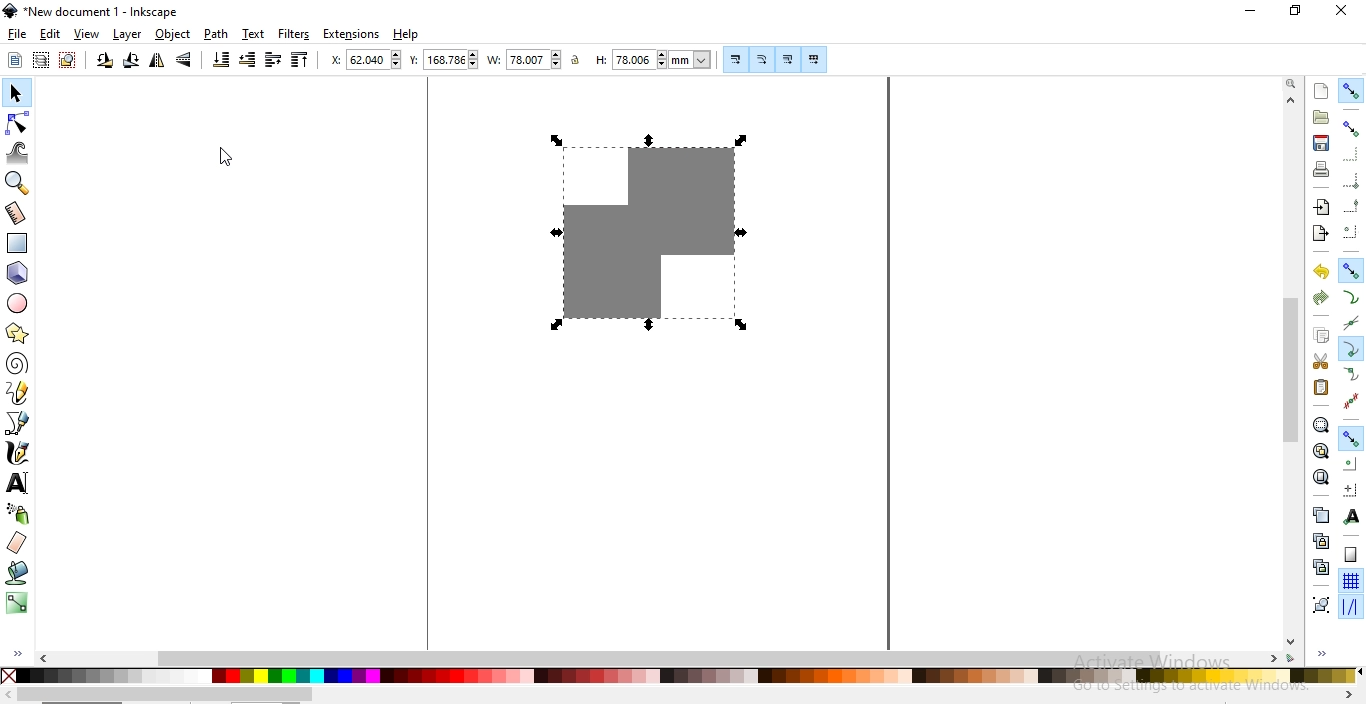  What do you see at coordinates (70, 60) in the screenshot?
I see `deselect selected objects or nodes` at bounding box center [70, 60].